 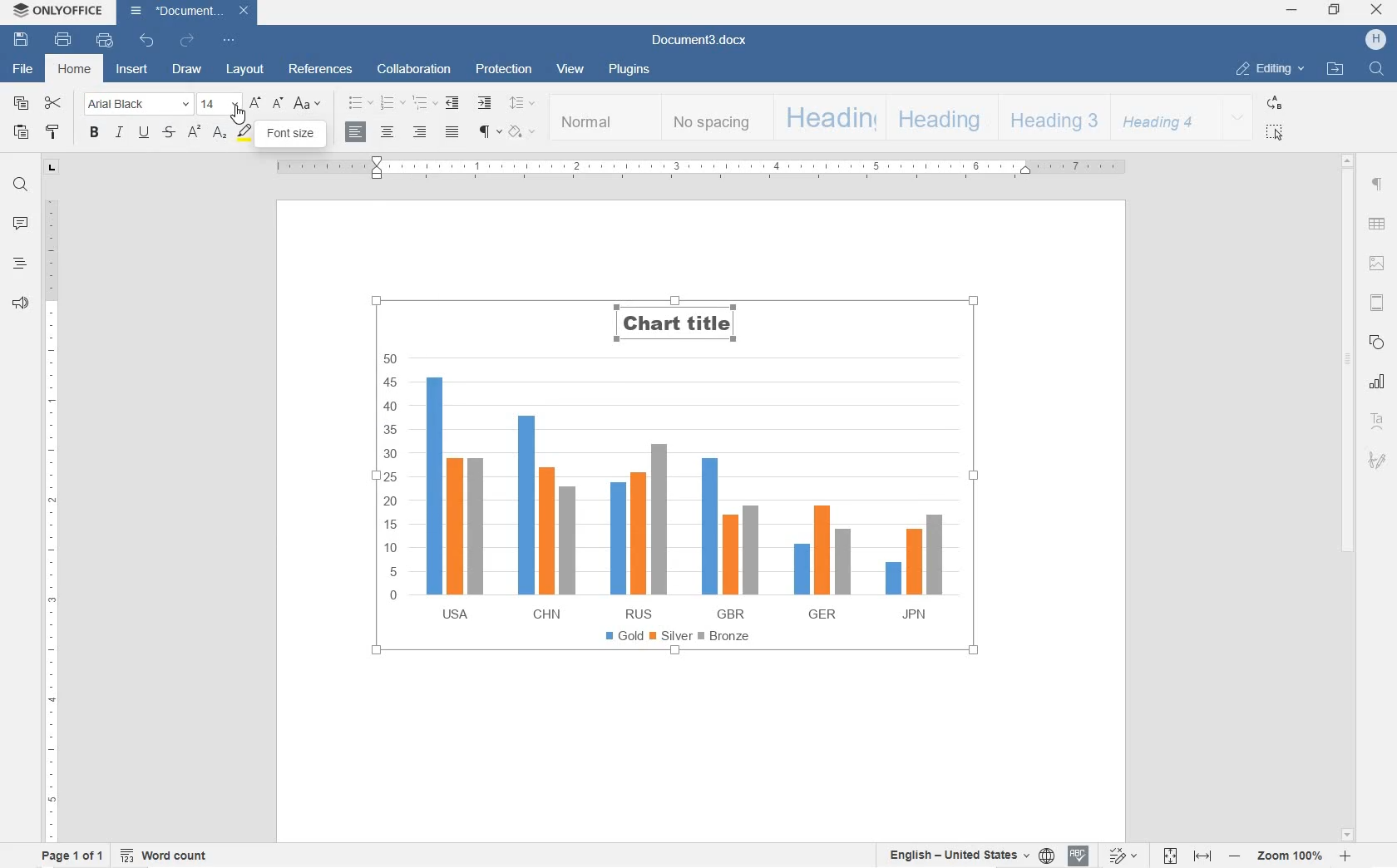 I want to click on LAYOUT, so click(x=245, y=69).